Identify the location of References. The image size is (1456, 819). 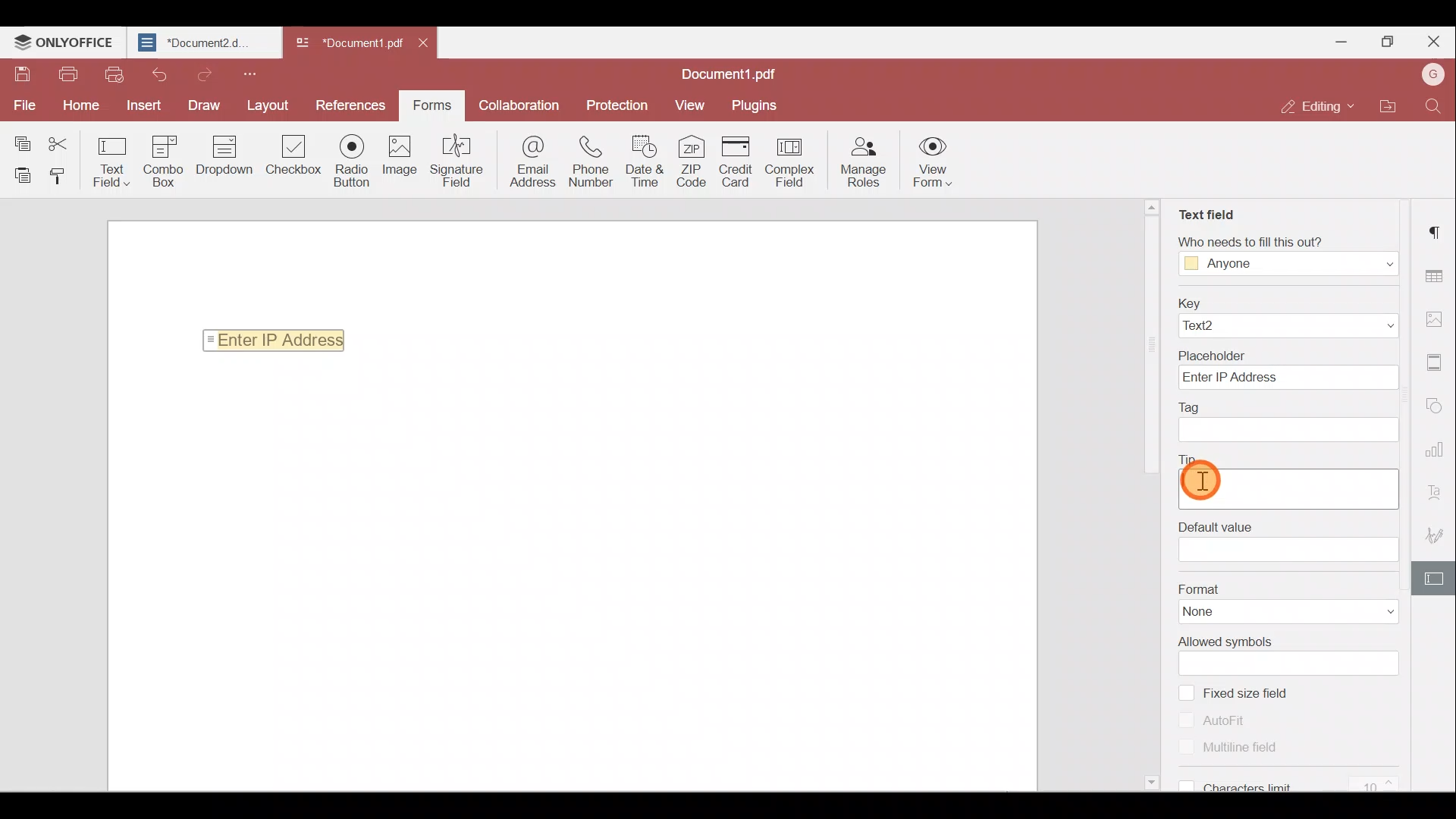
(347, 104).